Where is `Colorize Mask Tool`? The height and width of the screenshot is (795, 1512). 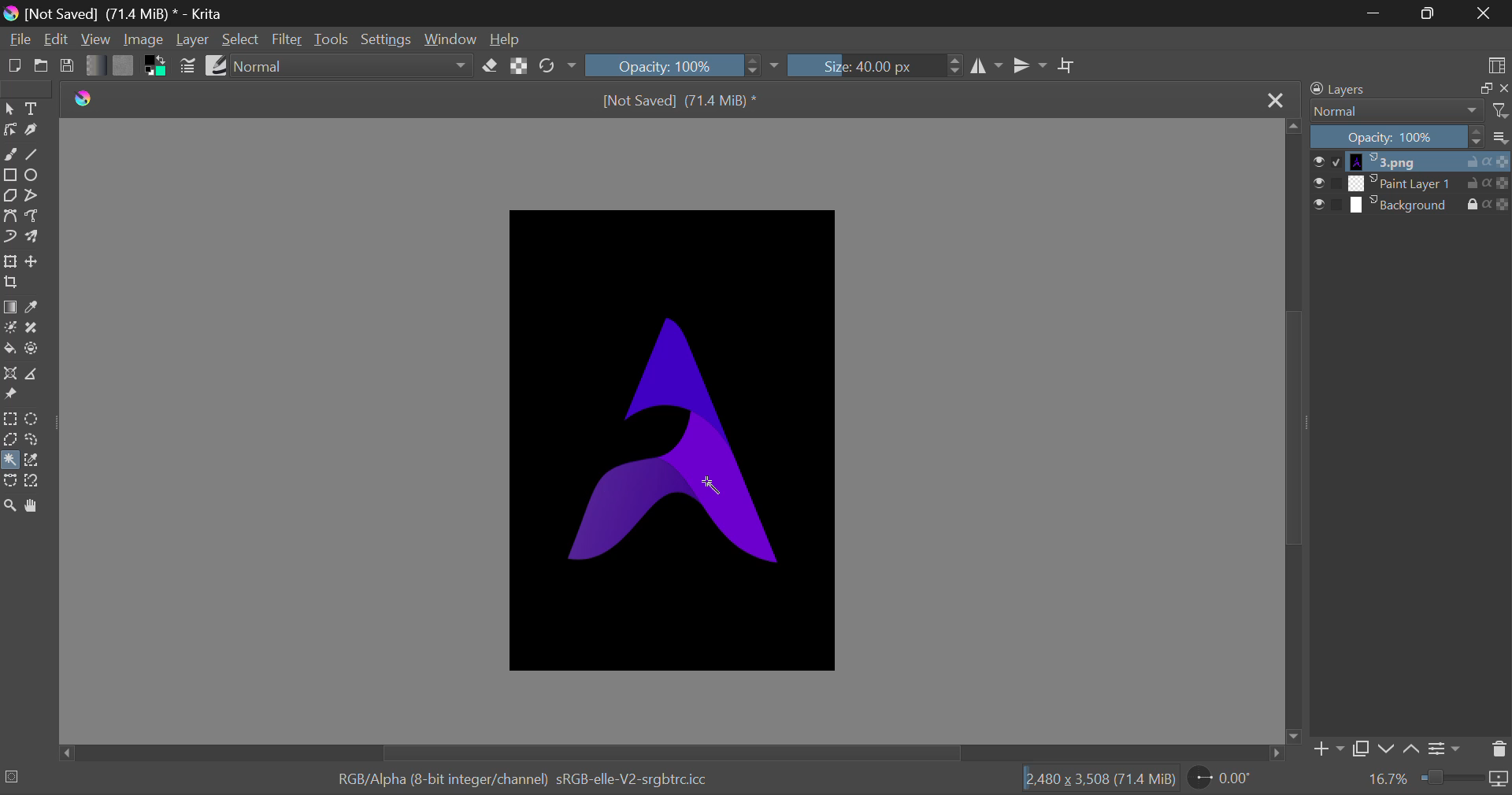 Colorize Mask Tool is located at coordinates (11, 329).